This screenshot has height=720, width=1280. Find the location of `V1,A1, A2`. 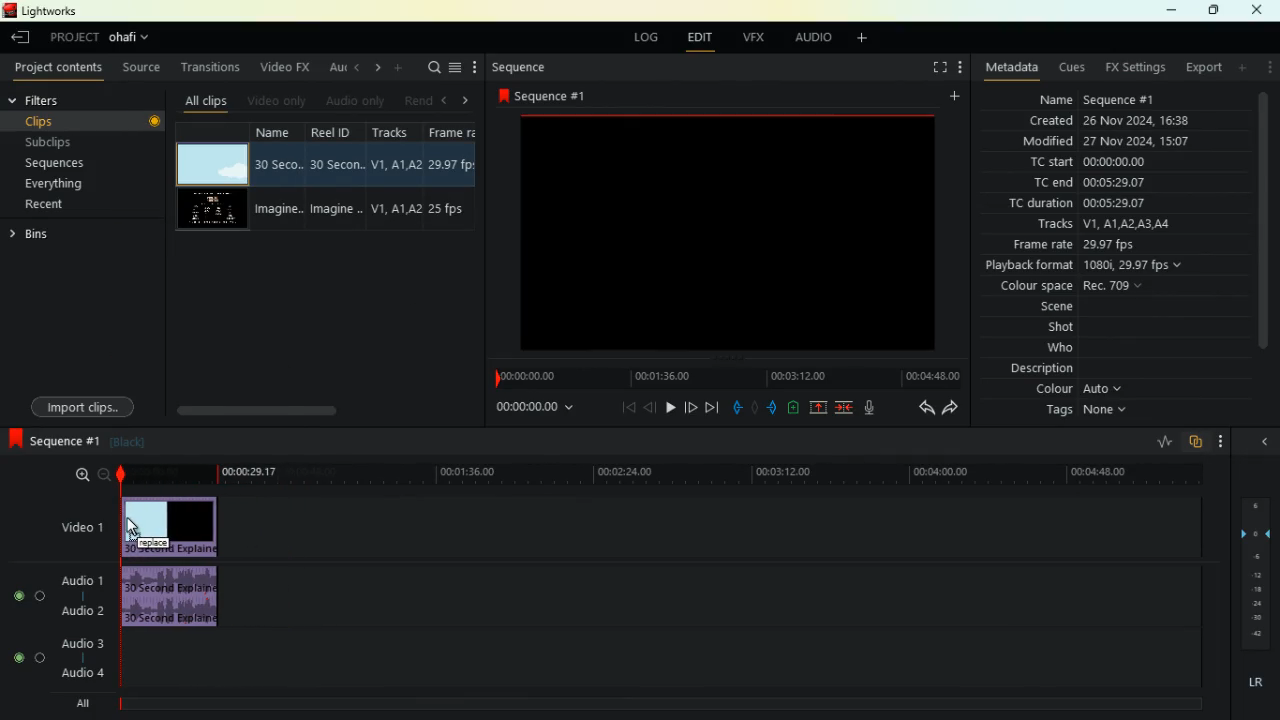

V1,A1, A2 is located at coordinates (395, 165).